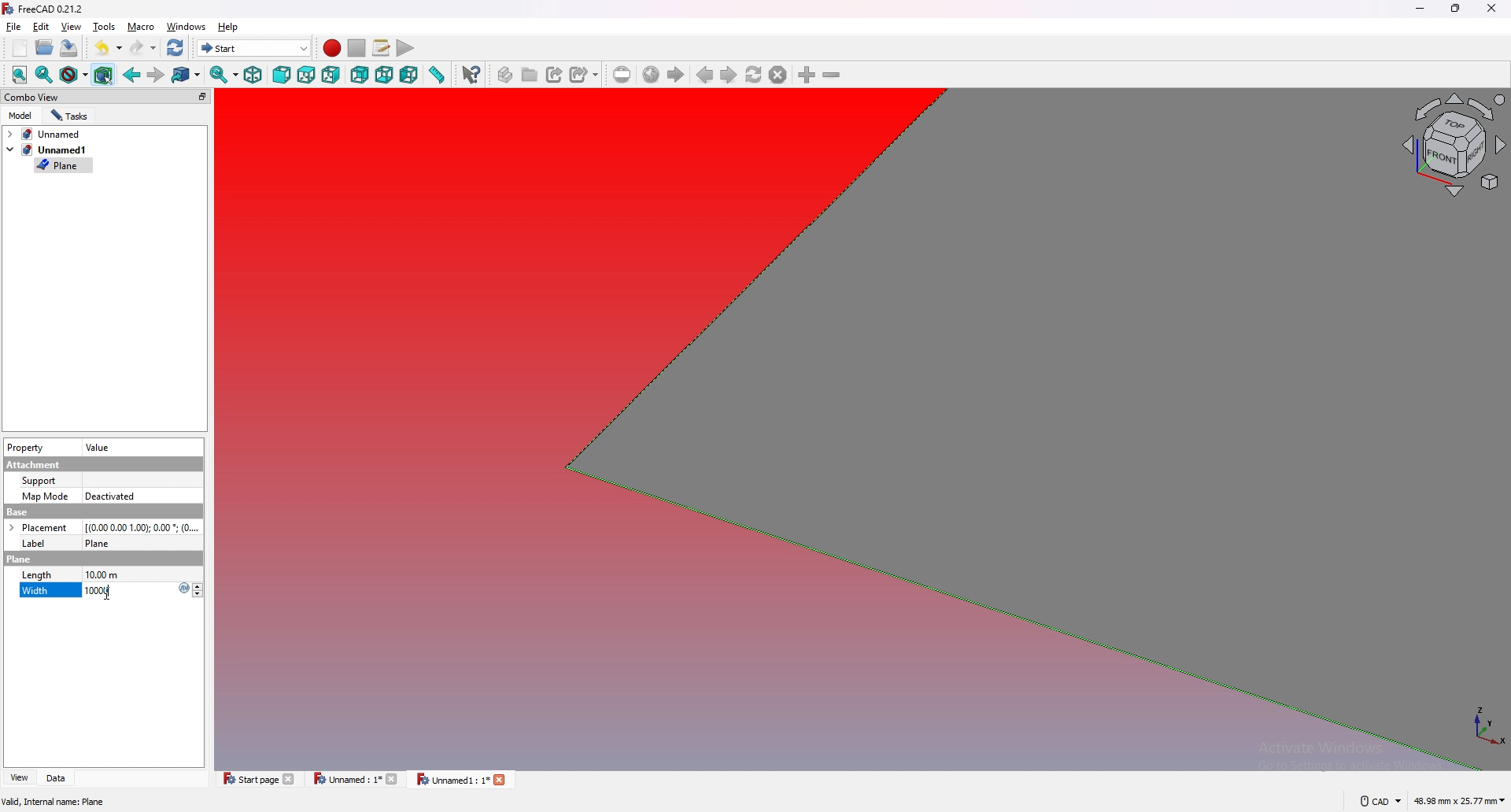 The height and width of the screenshot is (812, 1511). Describe the element at coordinates (176, 49) in the screenshot. I see `refresh` at that location.